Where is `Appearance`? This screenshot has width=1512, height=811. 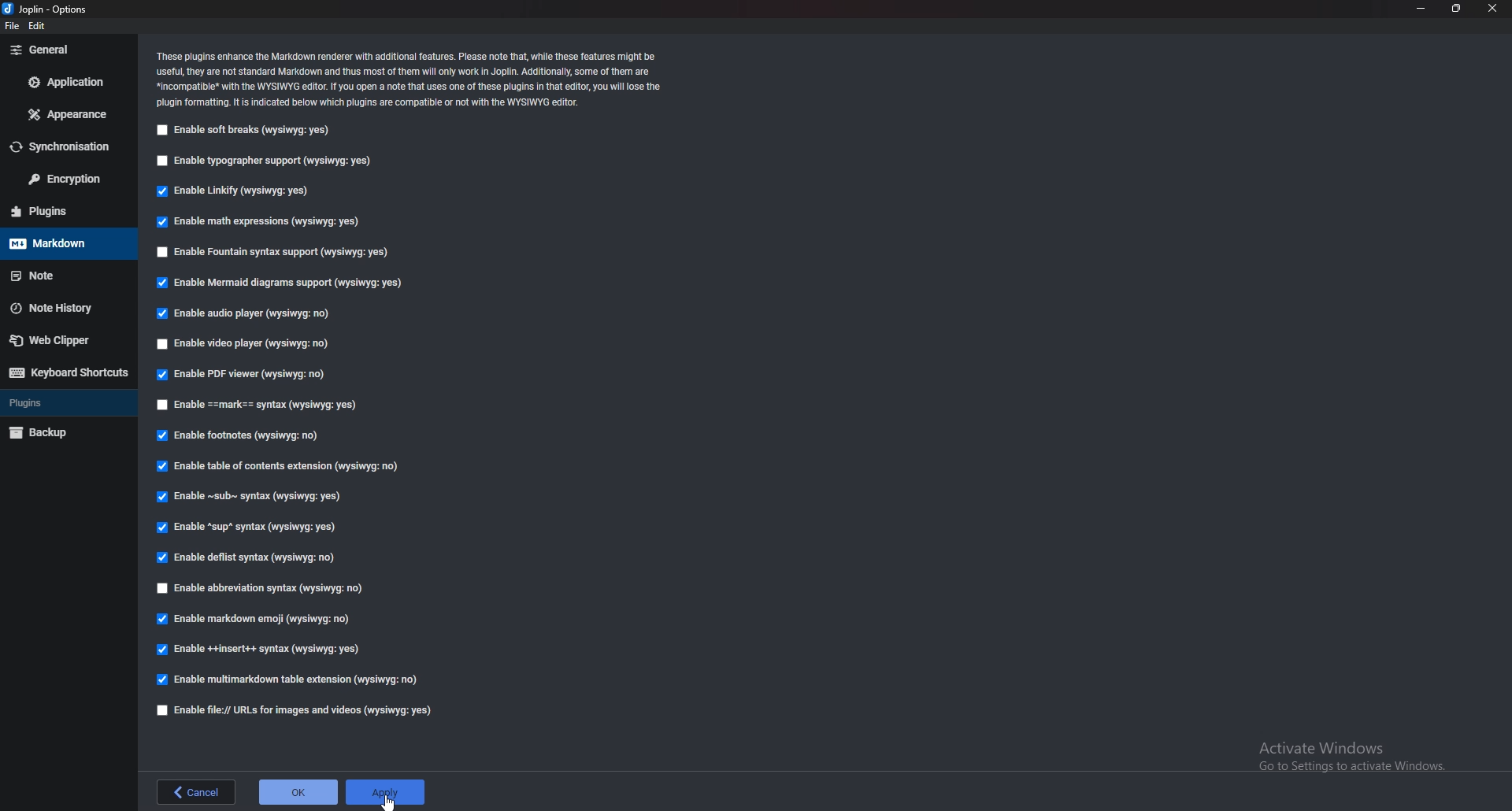
Appearance is located at coordinates (70, 113).